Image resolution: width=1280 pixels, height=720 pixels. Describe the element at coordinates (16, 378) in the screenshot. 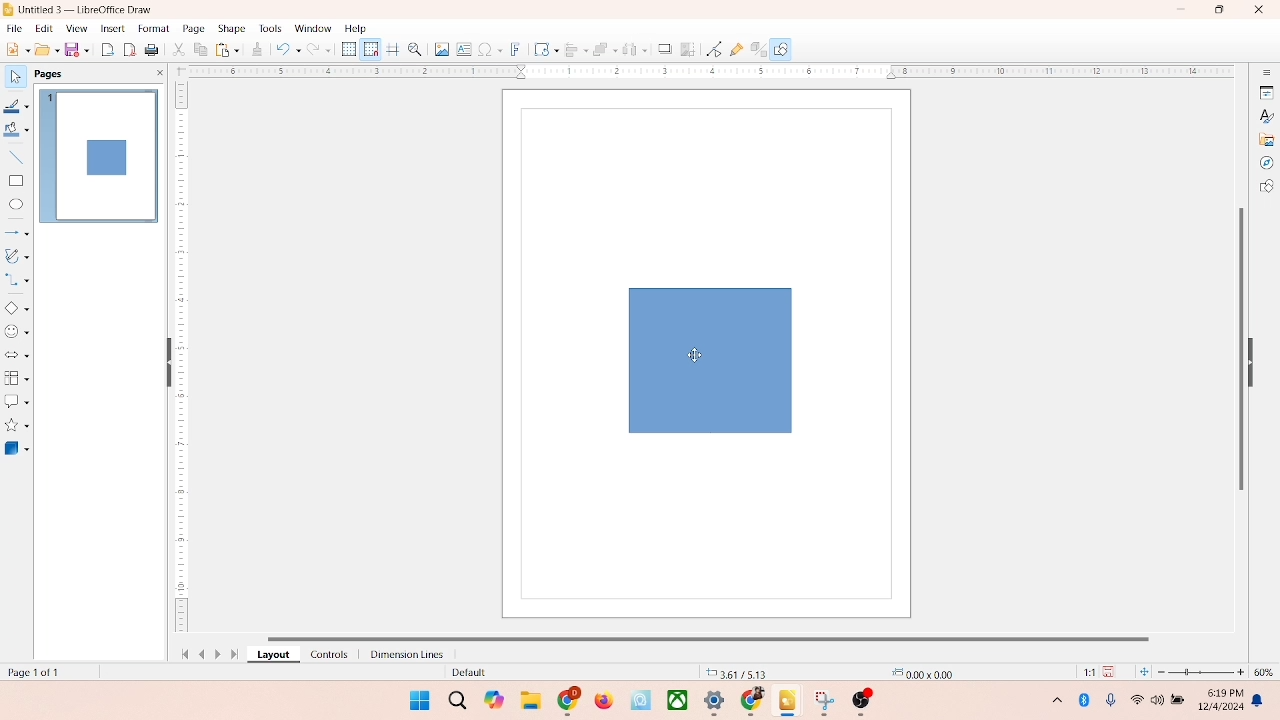

I see `flowchart` at that location.